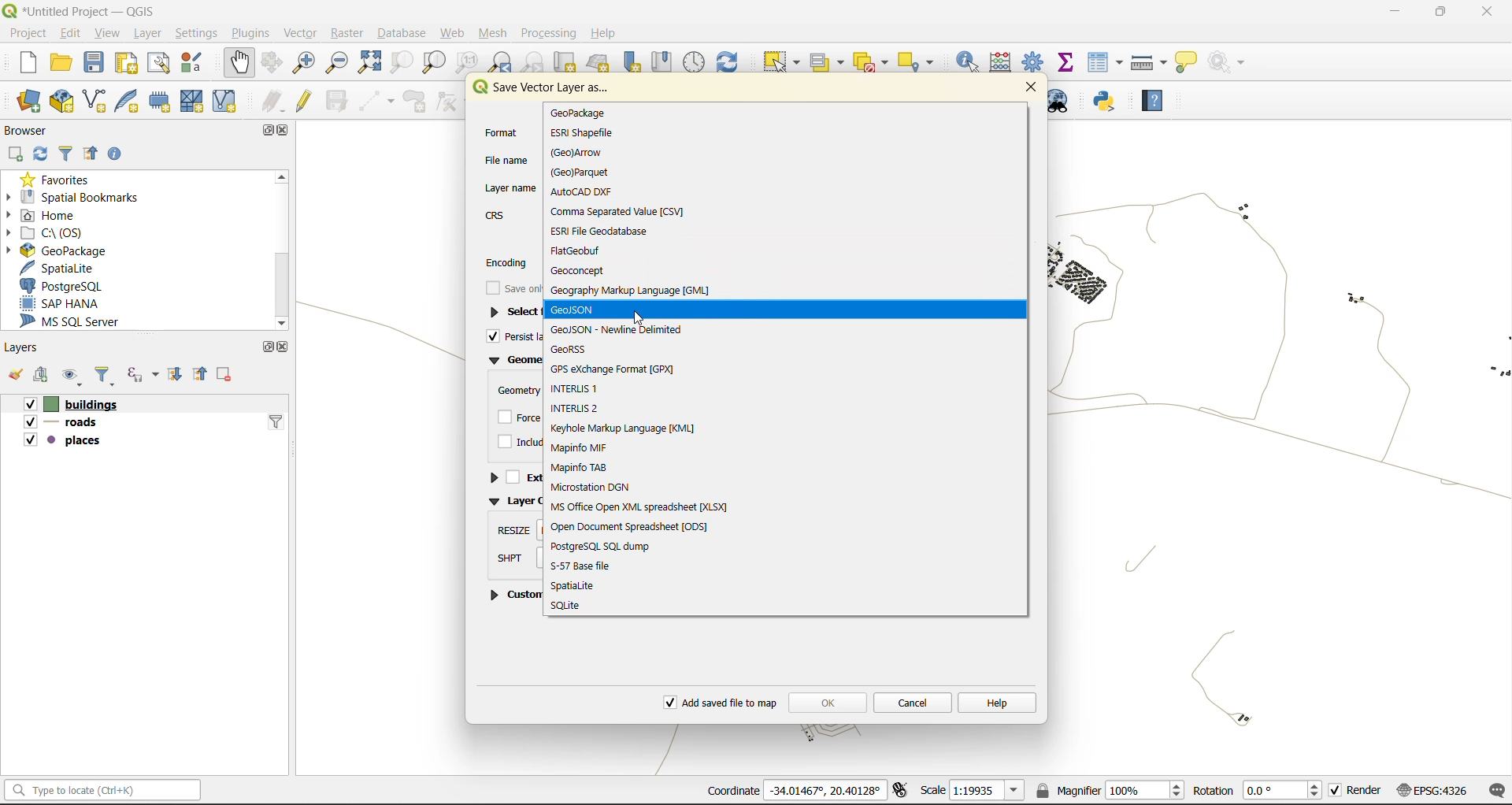  I want to click on File name, so click(509, 158).